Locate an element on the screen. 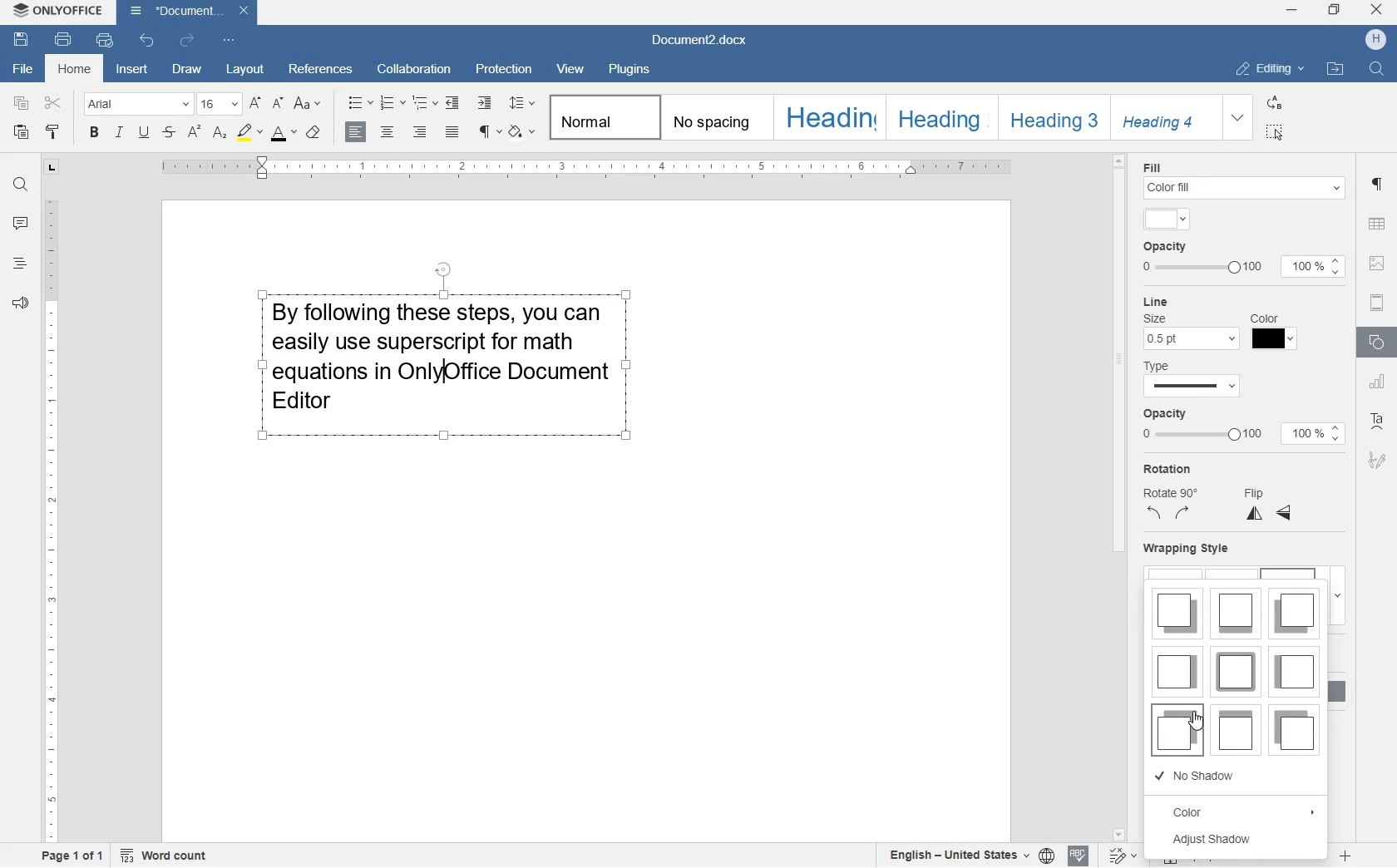 The image size is (1397, 868). bold is located at coordinates (94, 133).